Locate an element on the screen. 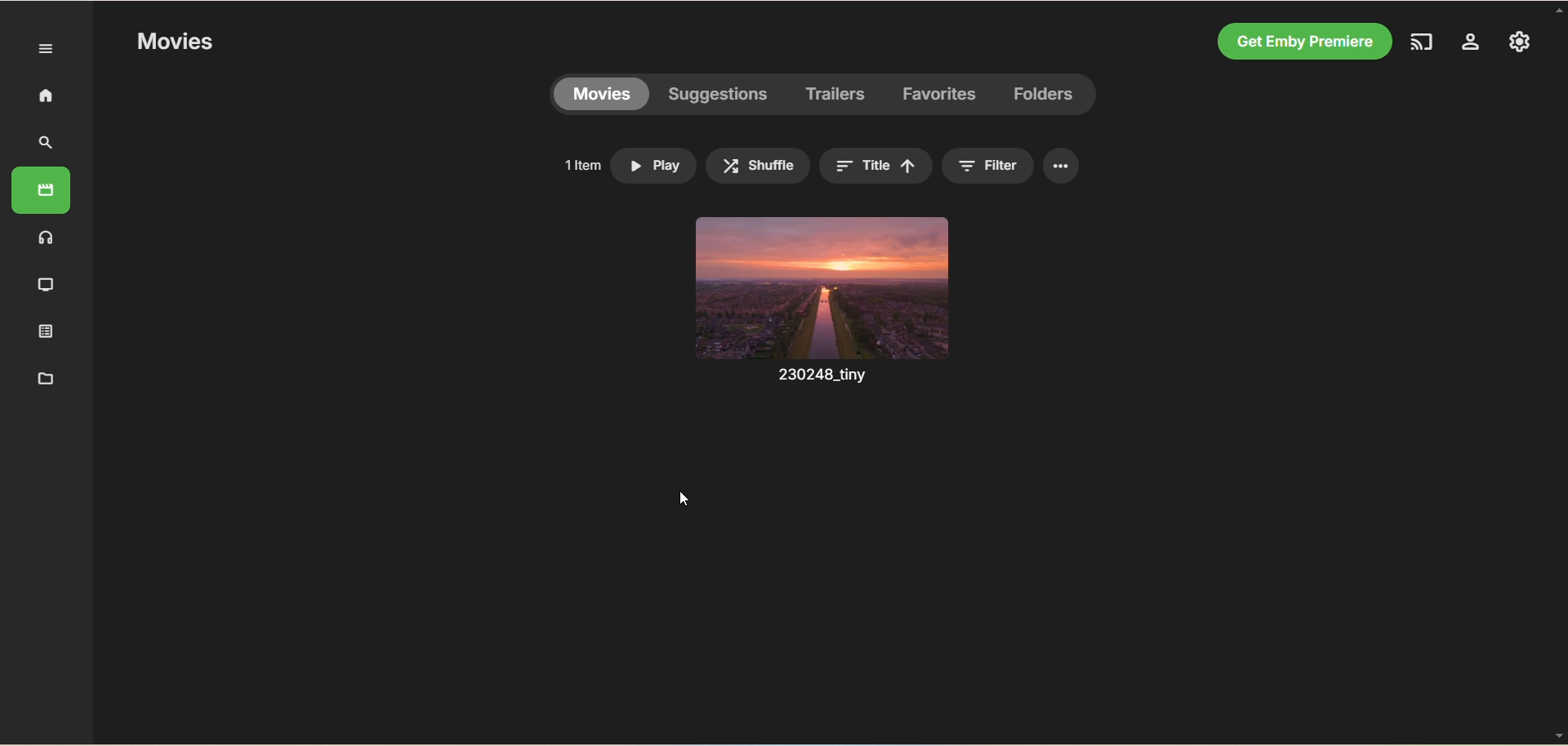  title is located at coordinates (876, 165).